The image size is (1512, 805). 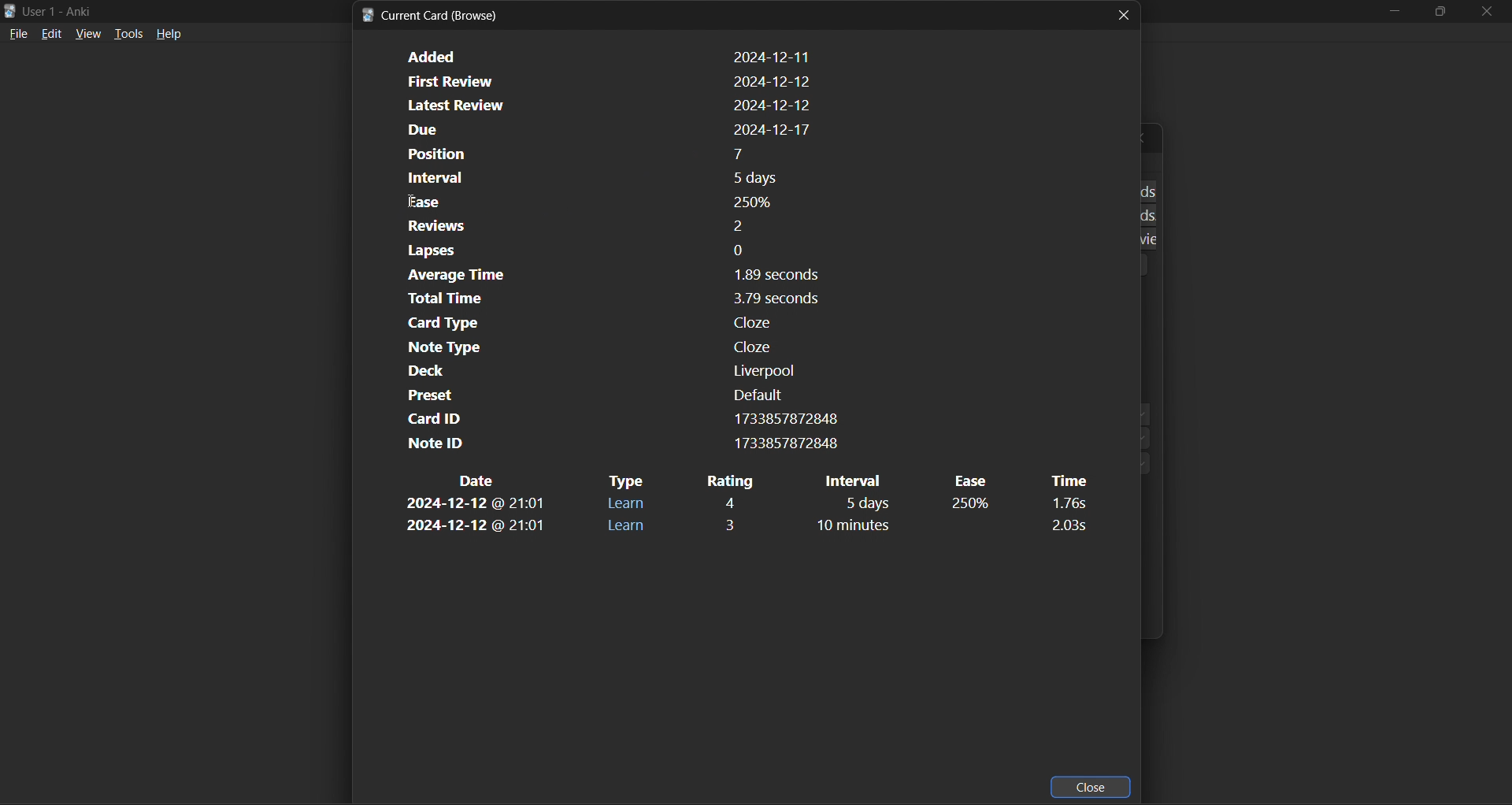 What do you see at coordinates (603, 322) in the screenshot?
I see `card type` at bounding box center [603, 322].